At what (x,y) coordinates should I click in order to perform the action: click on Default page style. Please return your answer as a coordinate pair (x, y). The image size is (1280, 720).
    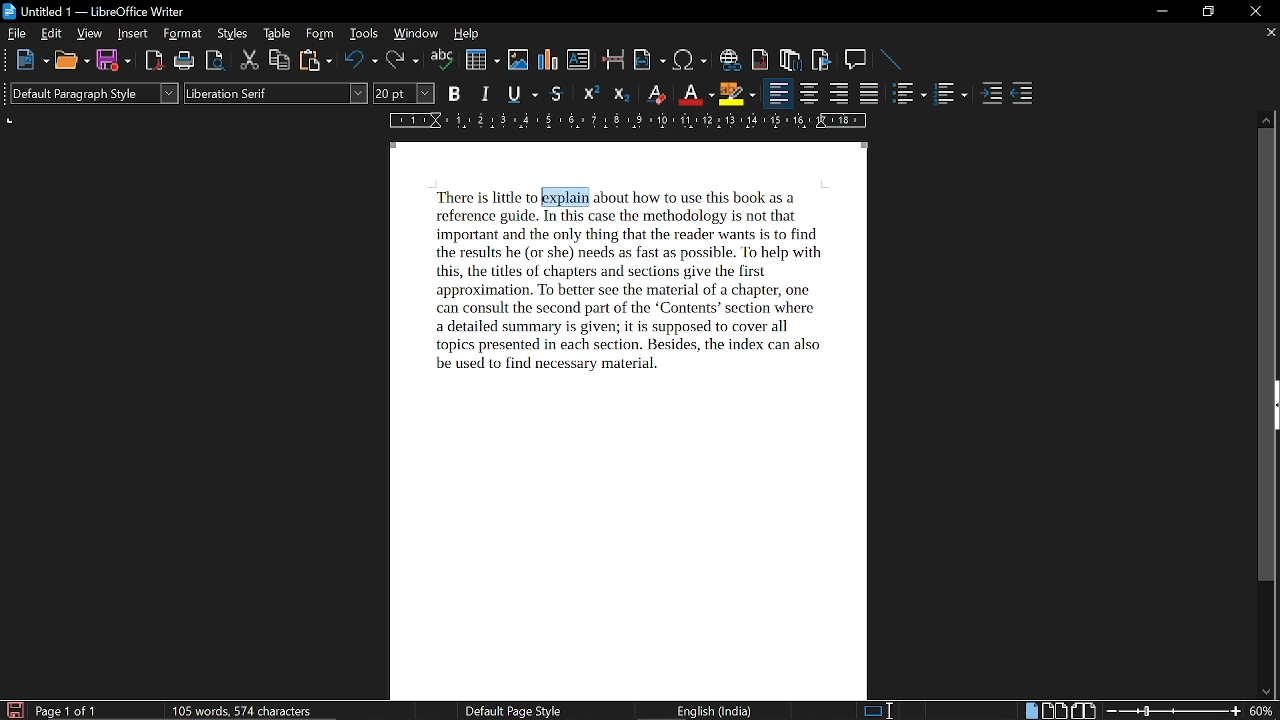
    Looking at the image, I should click on (512, 711).